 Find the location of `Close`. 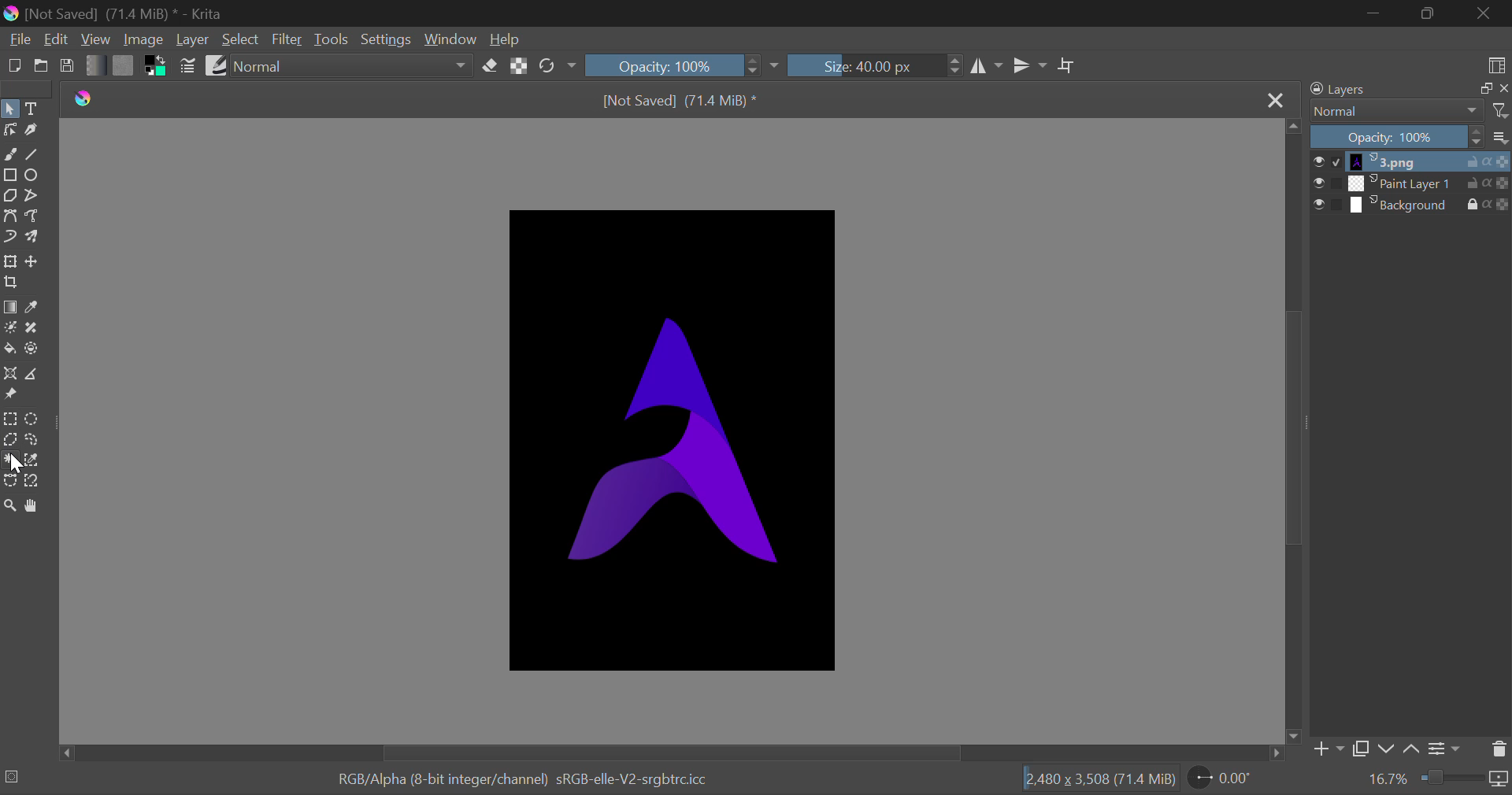

Close is located at coordinates (1484, 13).